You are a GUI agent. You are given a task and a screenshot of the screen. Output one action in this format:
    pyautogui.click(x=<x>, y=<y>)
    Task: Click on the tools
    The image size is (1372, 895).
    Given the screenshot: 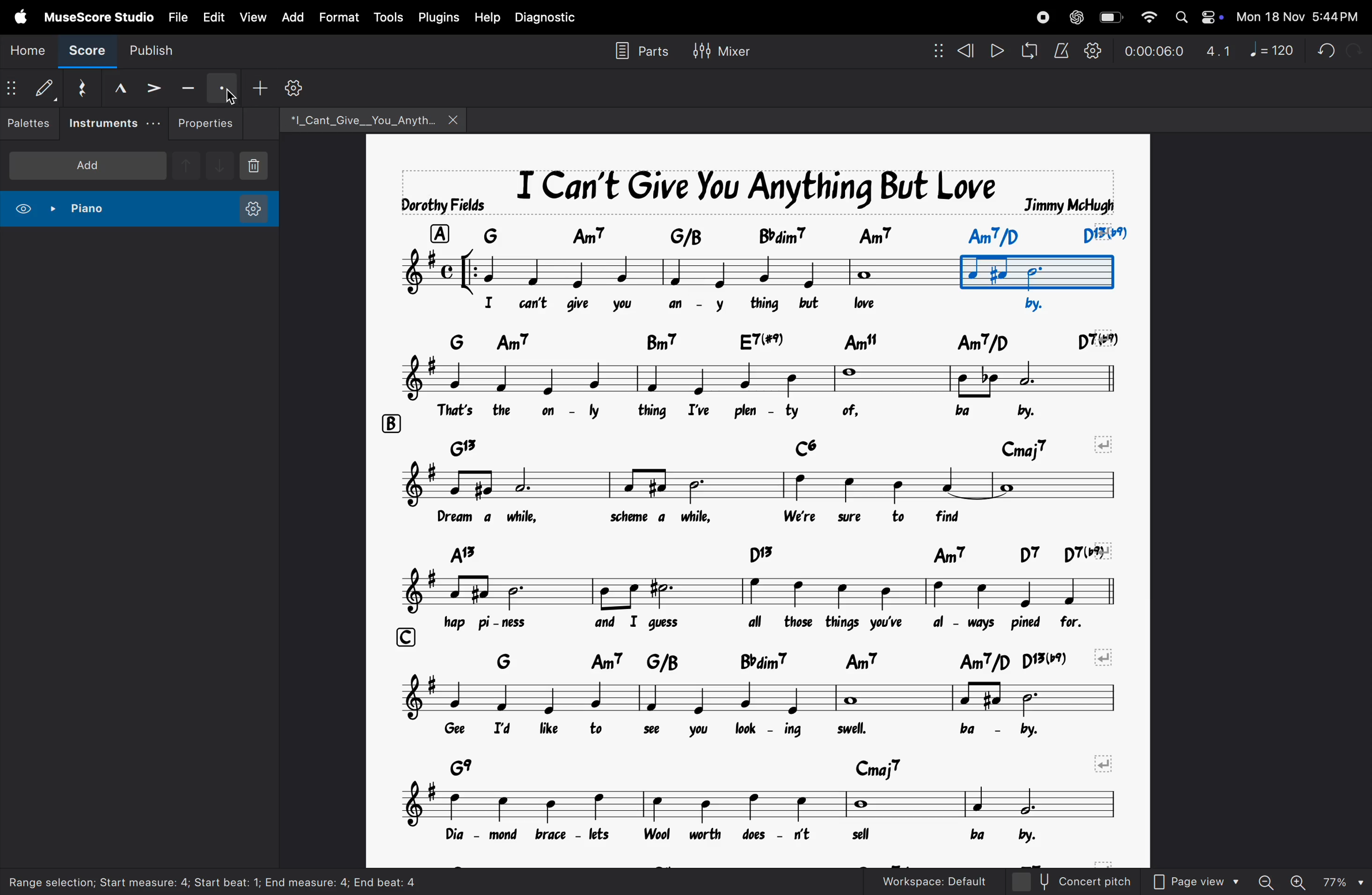 What is the action you would take?
    pyautogui.click(x=388, y=17)
    